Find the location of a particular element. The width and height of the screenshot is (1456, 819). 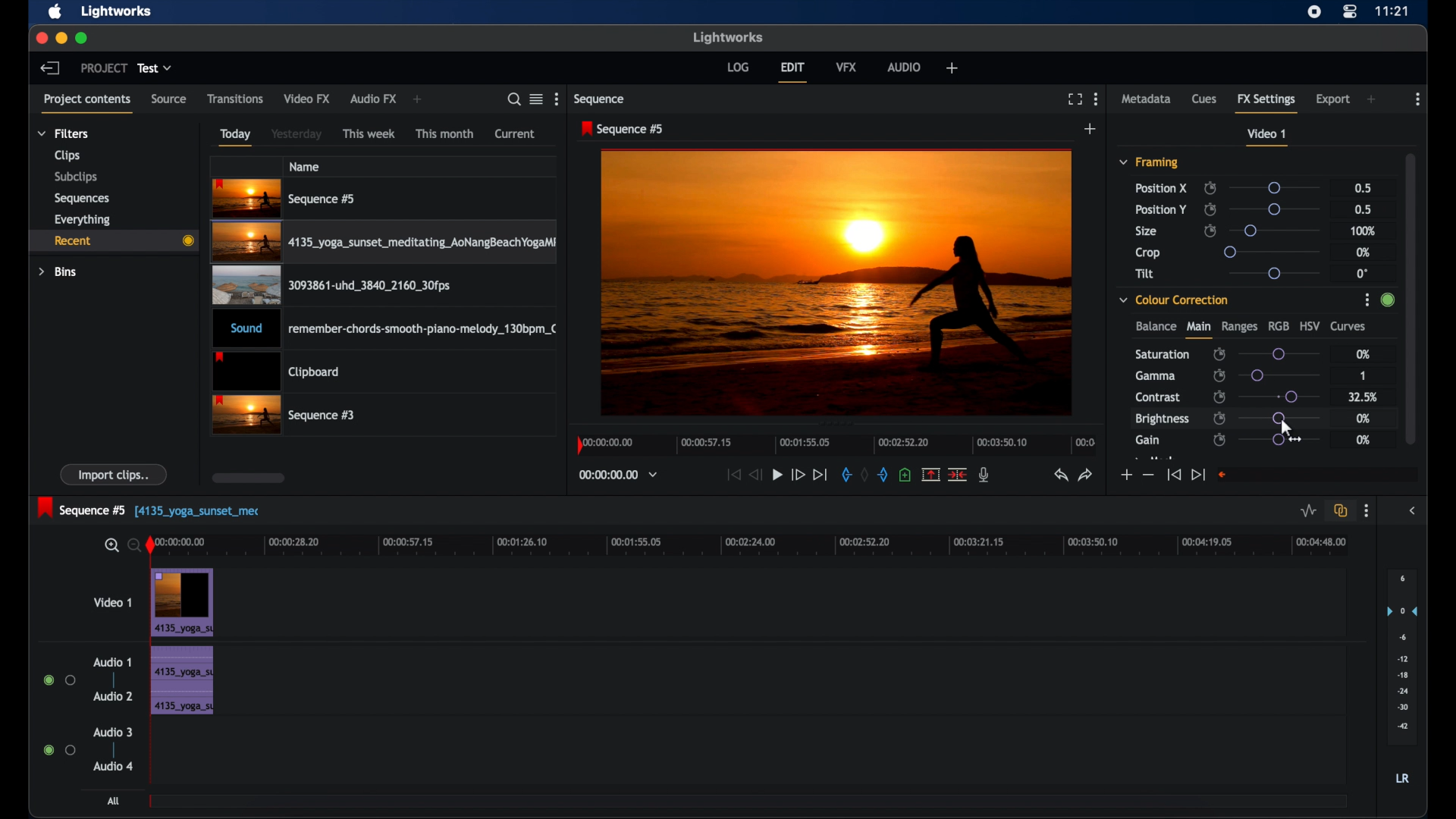

enable/disable keyframes is located at coordinates (1219, 396).